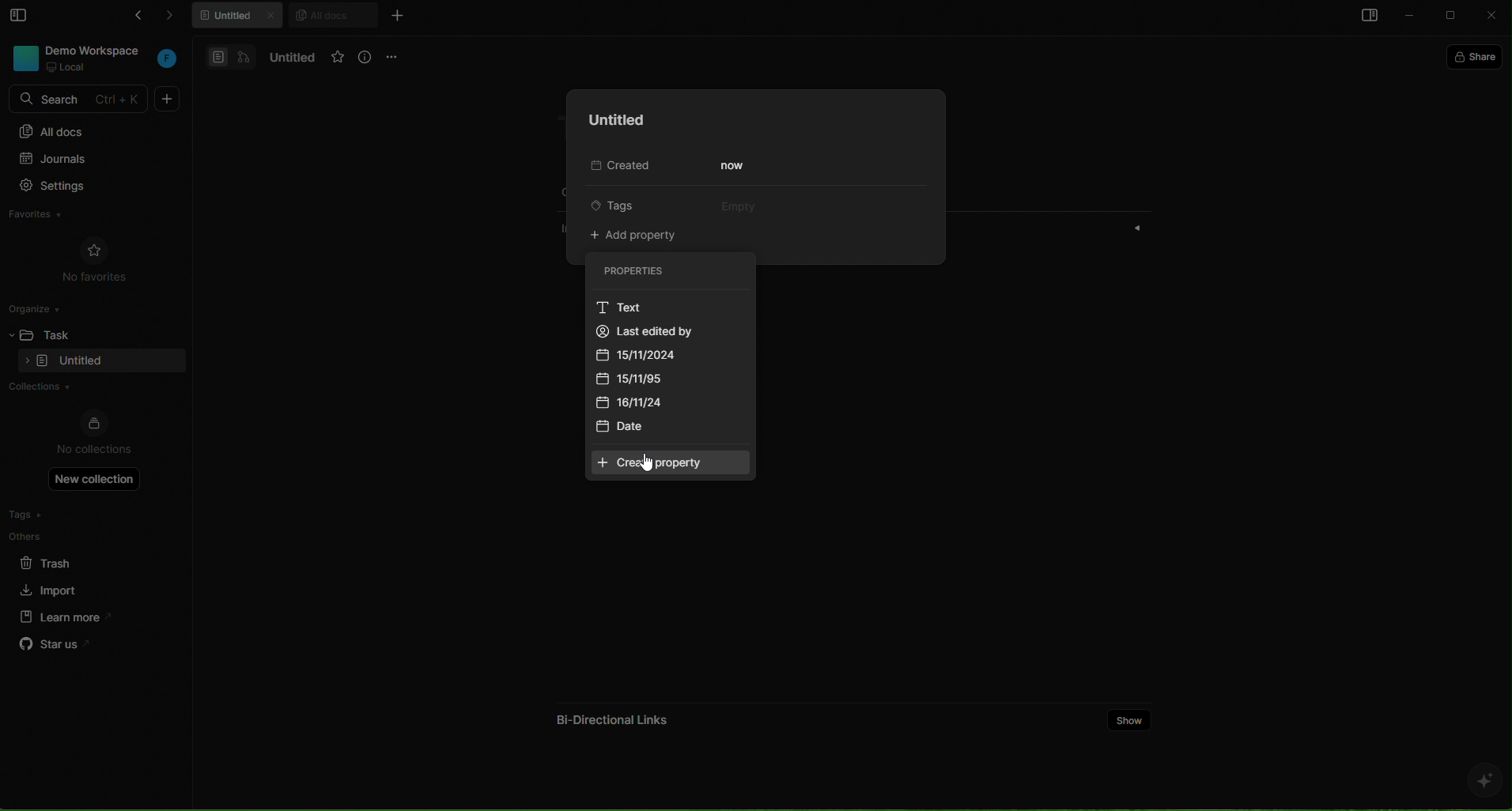 This screenshot has width=1512, height=811. What do you see at coordinates (51, 588) in the screenshot?
I see `import` at bounding box center [51, 588].